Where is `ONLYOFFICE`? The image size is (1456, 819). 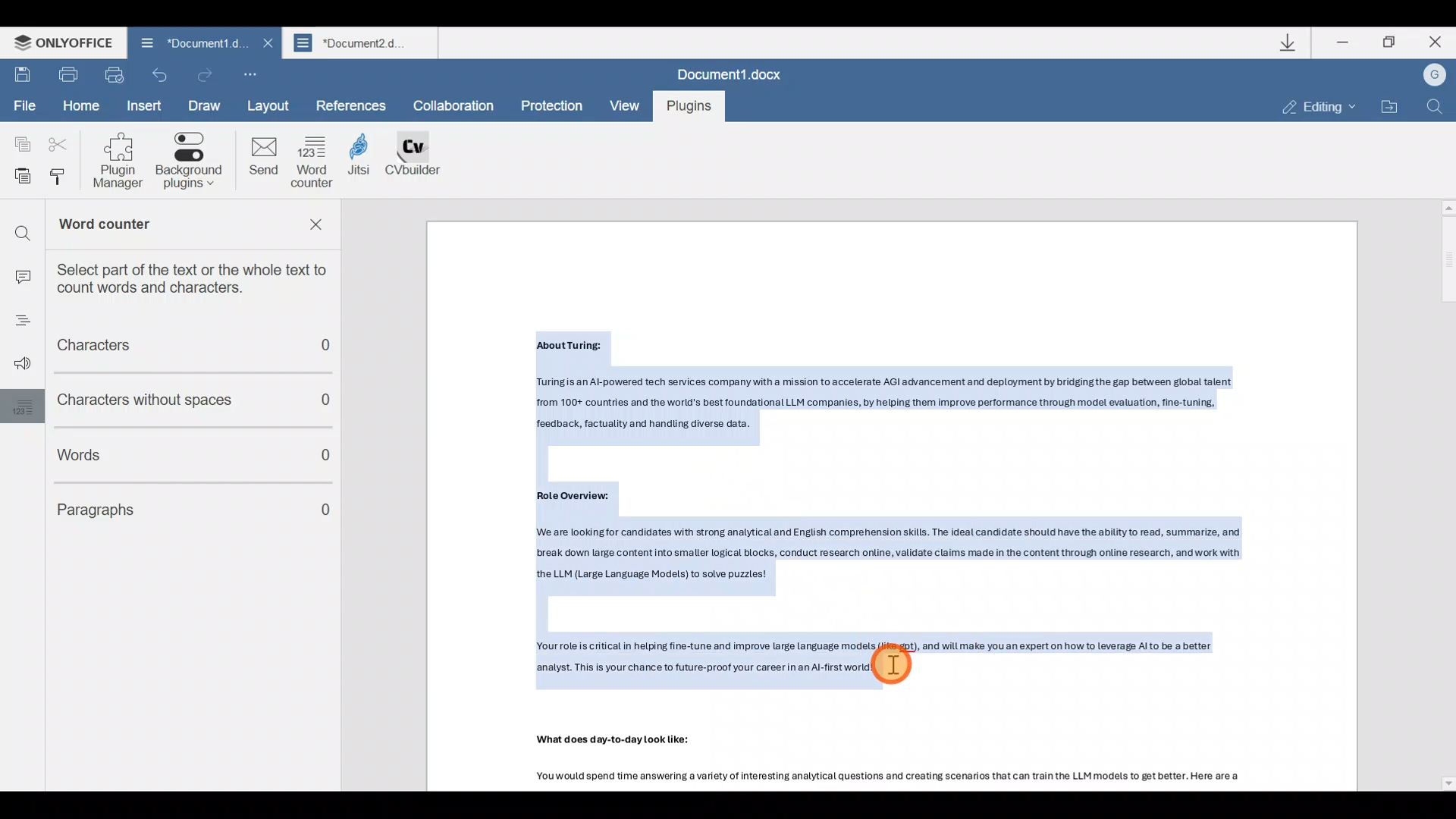
ONLYOFFICE is located at coordinates (58, 42).